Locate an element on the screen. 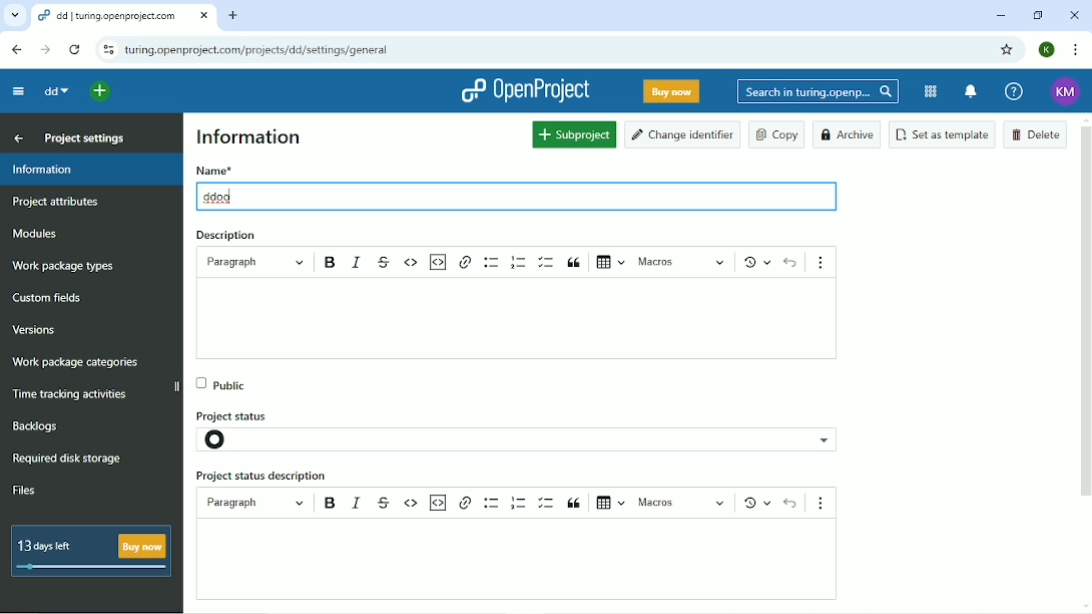 The image size is (1092, 614). Project settings is located at coordinates (83, 137).